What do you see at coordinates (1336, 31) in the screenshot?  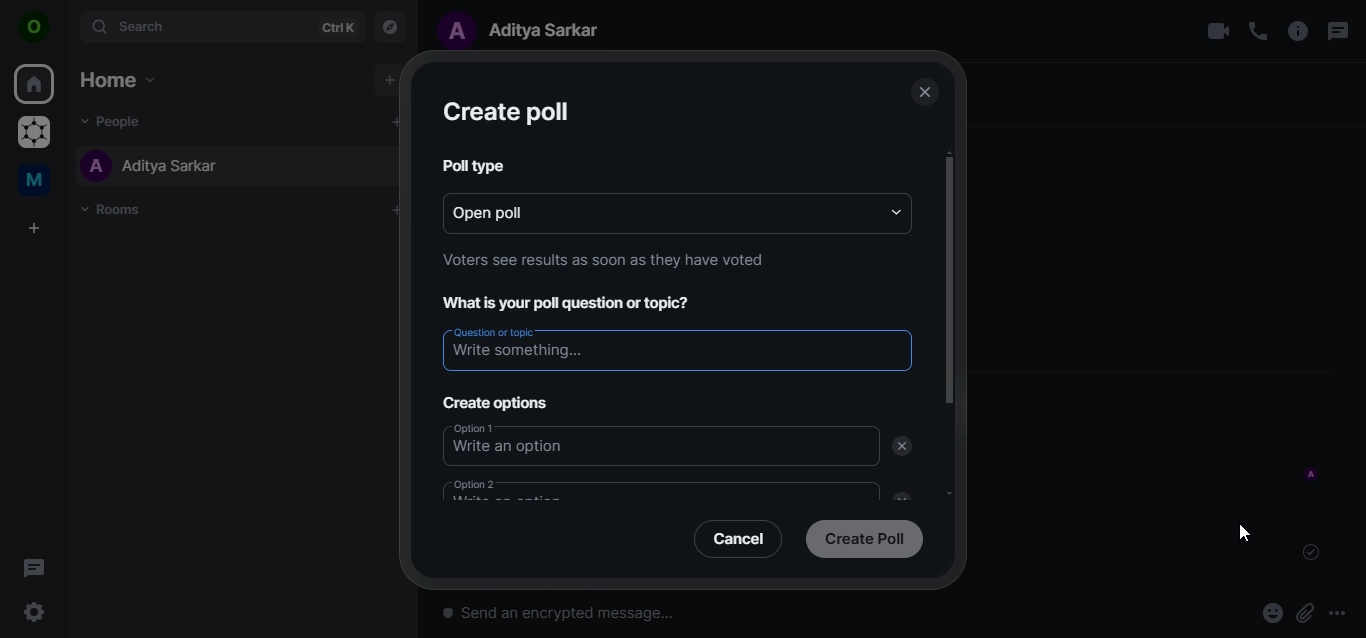 I see `threads` at bounding box center [1336, 31].